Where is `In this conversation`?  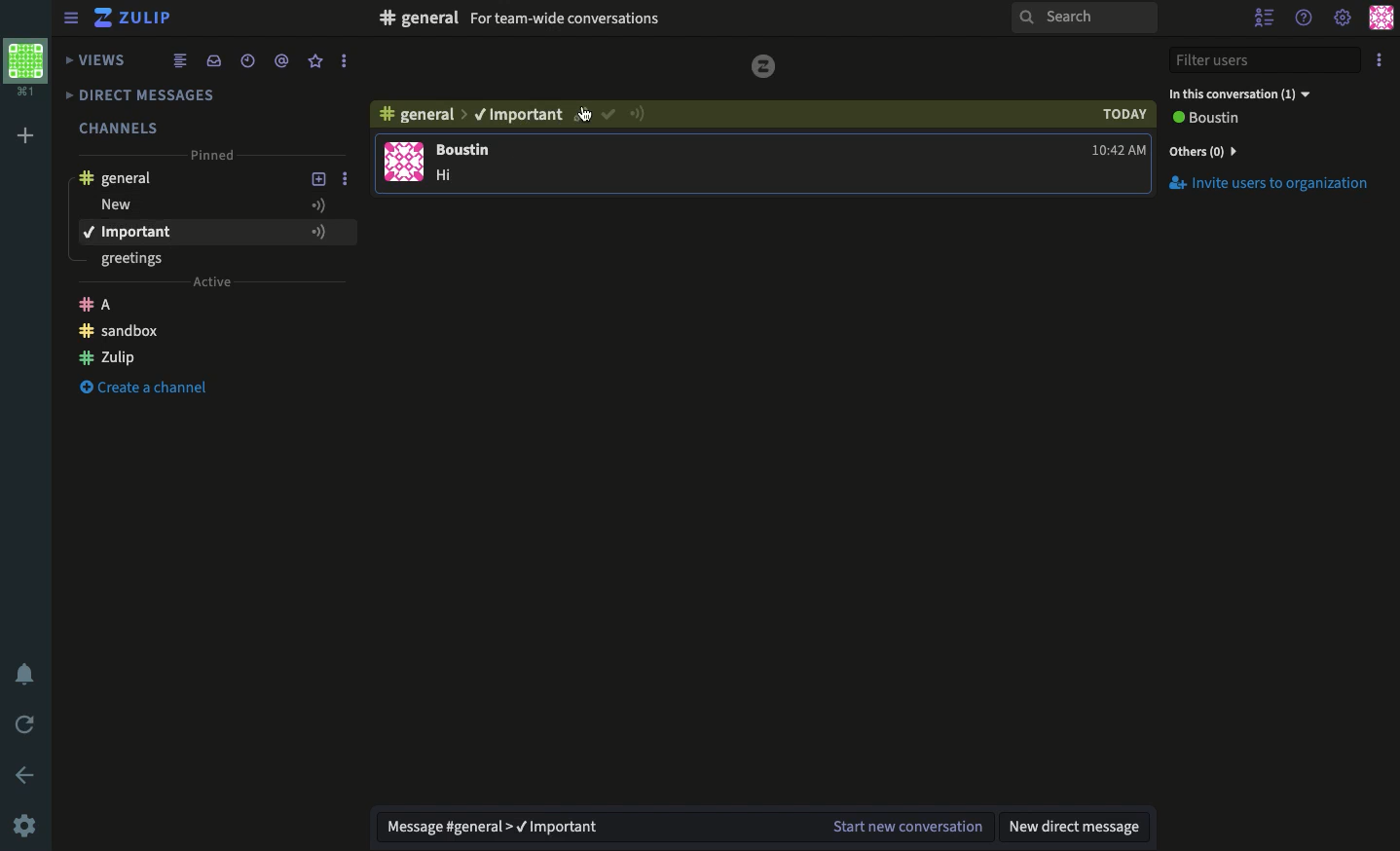
In this conversation is located at coordinates (1241, 92).